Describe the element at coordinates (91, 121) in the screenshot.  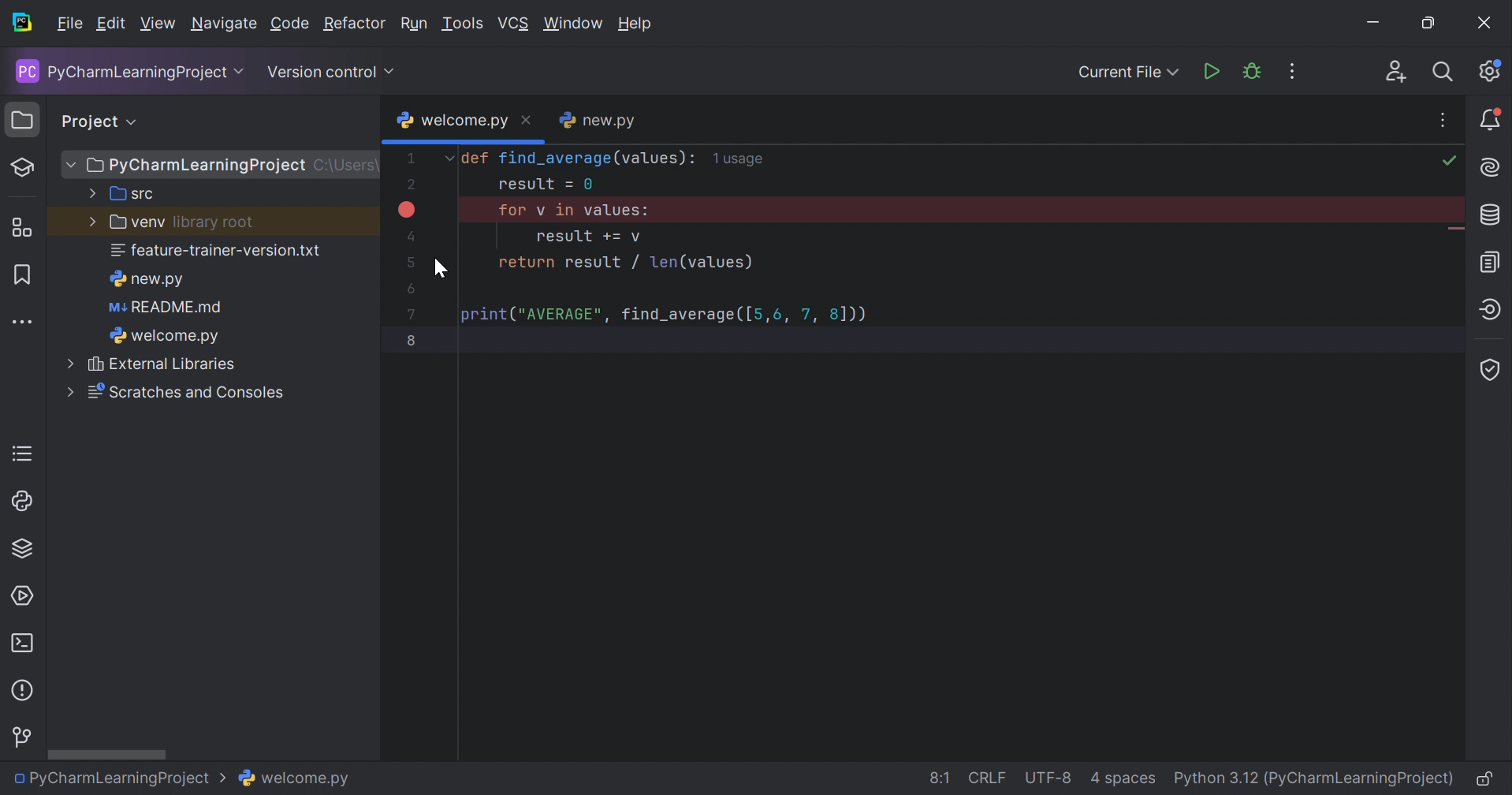
I see `Project` at that location.